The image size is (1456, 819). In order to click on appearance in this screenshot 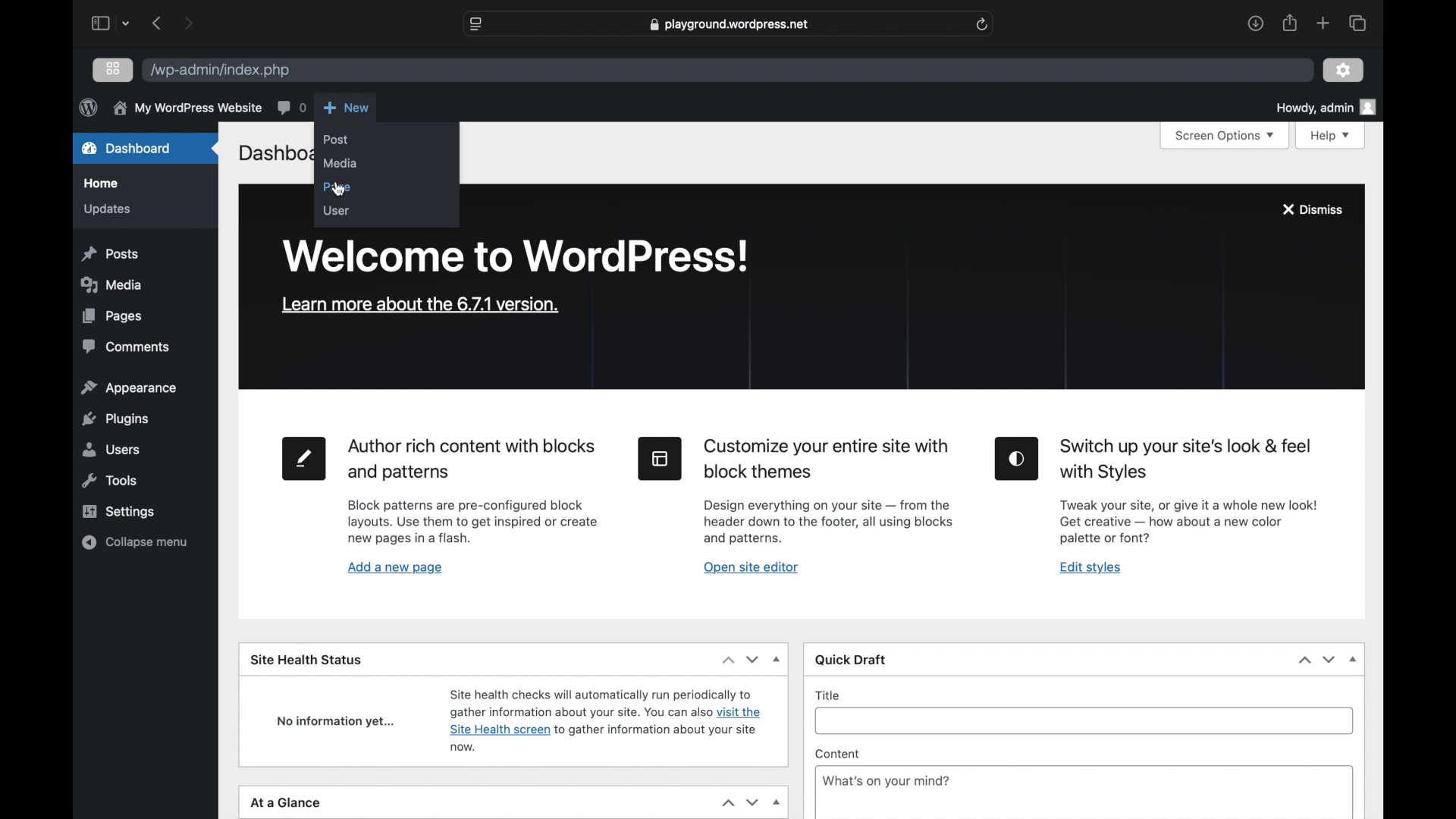, I will do `click(130, 388)`.